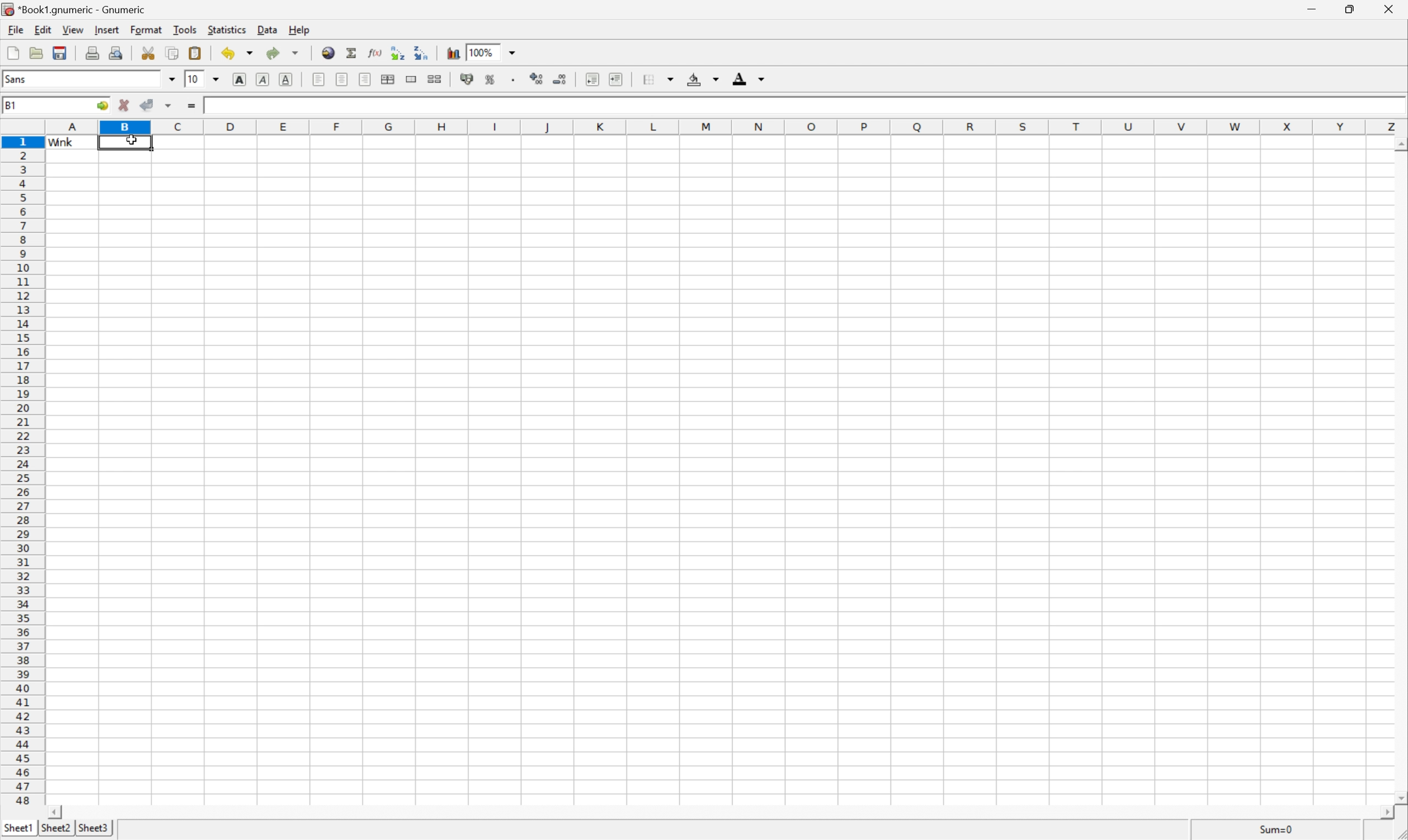  Describe the element at coordinates (436, 79) in the screenshot. I see `split merged ranges of cells` at that location.